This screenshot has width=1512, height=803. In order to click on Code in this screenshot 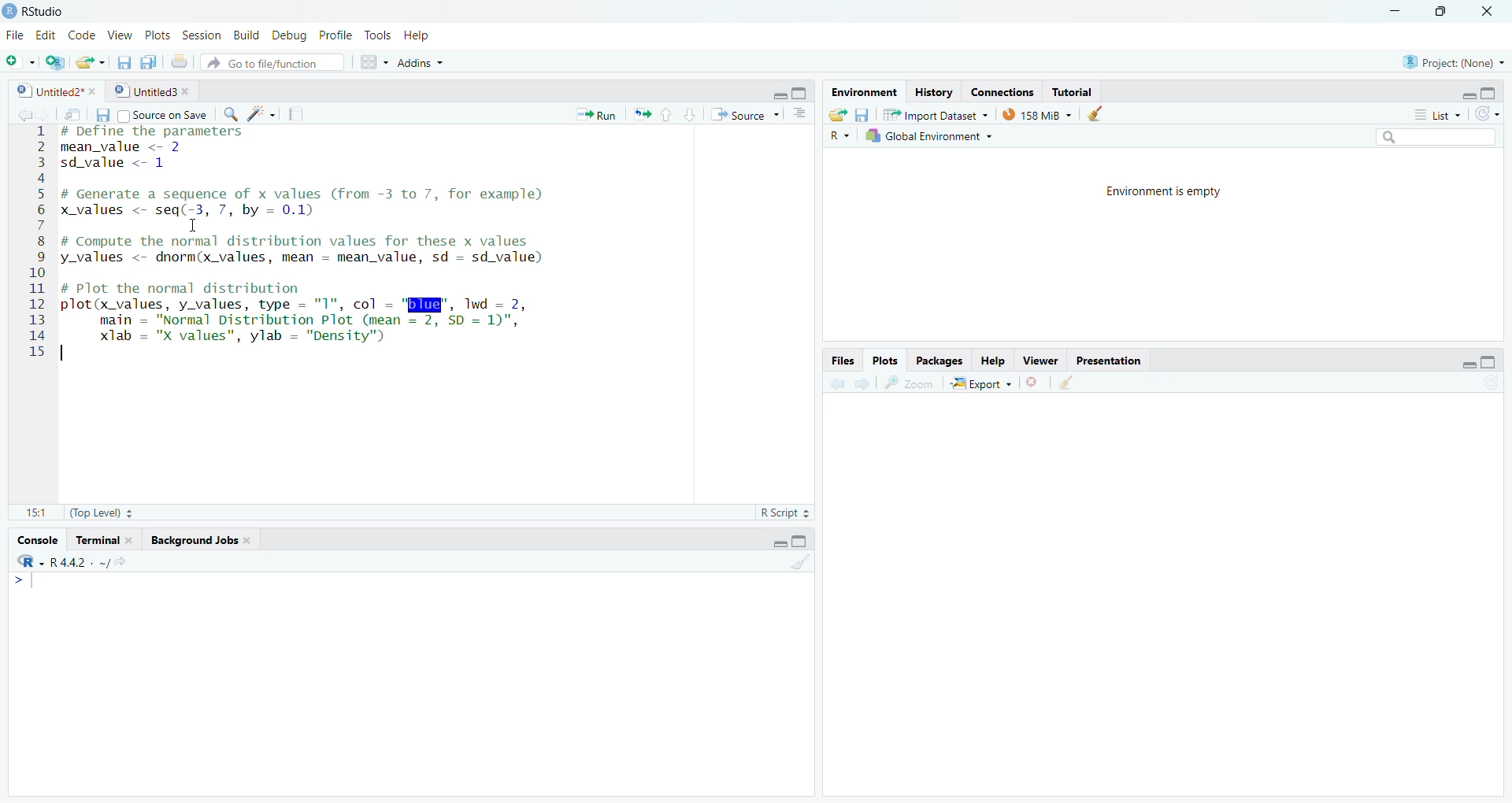, I will do `click(81, 35)`.